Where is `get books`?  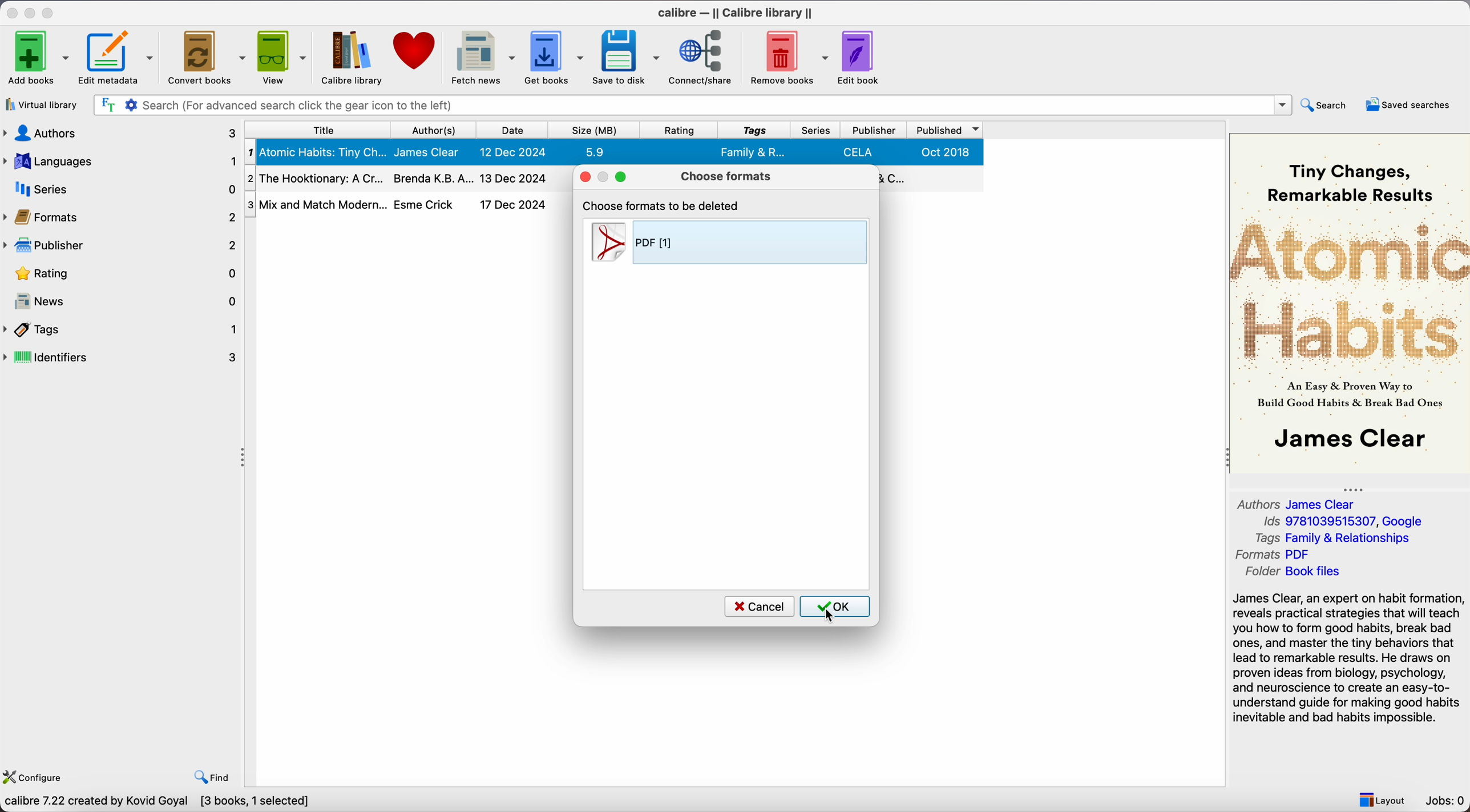
get books is located at coordinates (555, 57).